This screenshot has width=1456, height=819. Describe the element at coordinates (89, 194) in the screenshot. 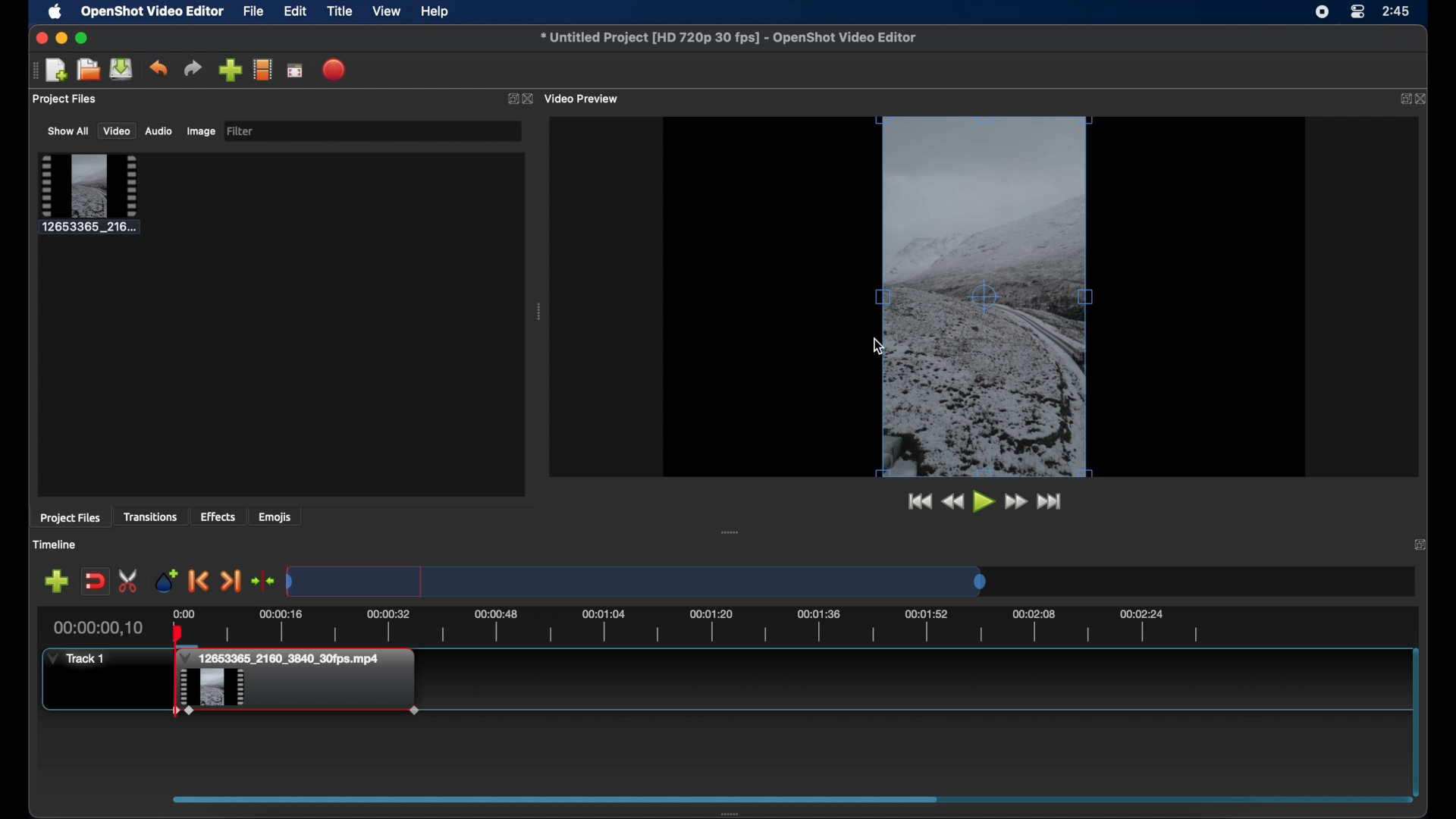

I see `clip` at that location.